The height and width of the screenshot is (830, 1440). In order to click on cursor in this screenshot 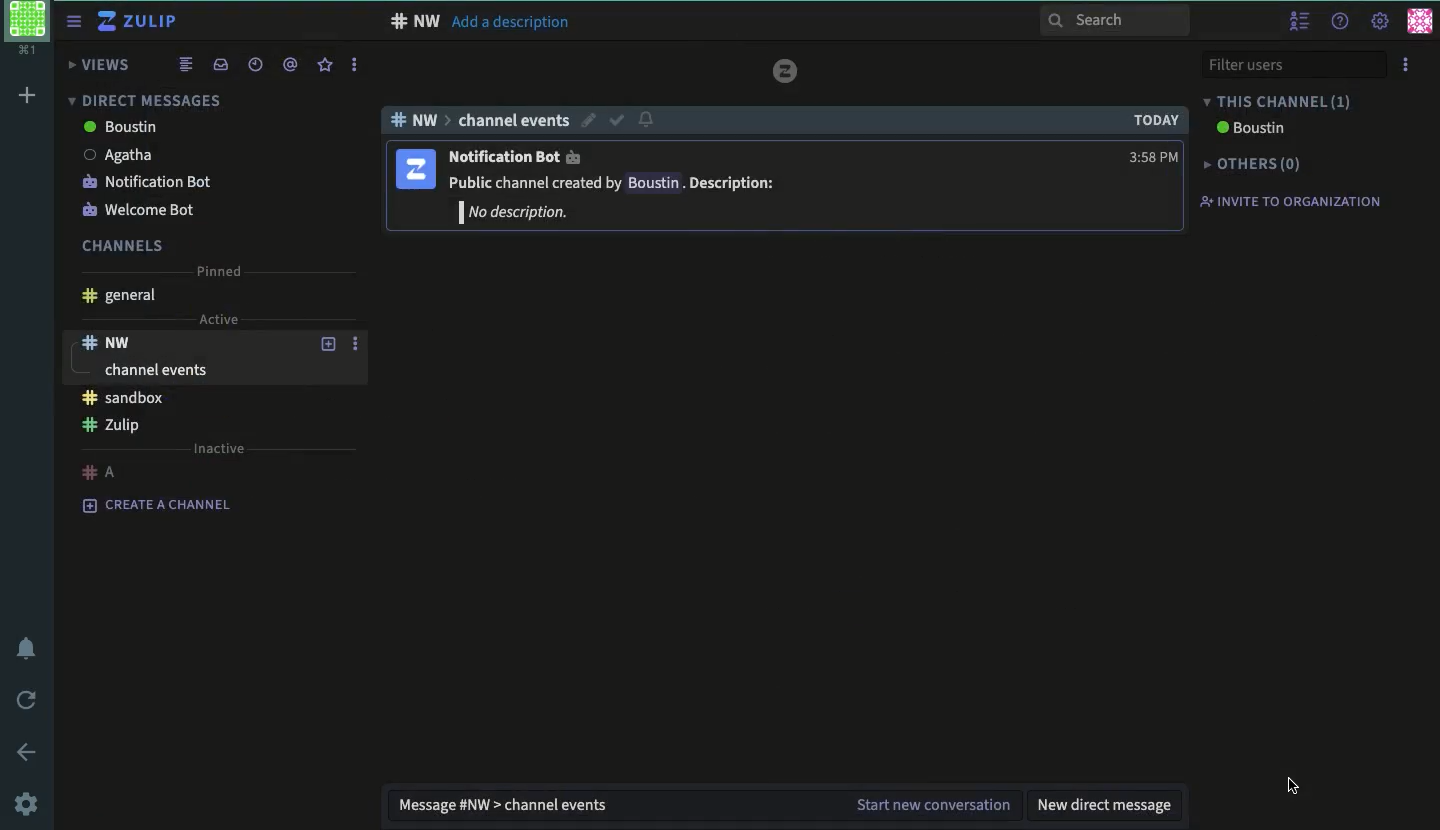, I will do `click(1297, 785)`.